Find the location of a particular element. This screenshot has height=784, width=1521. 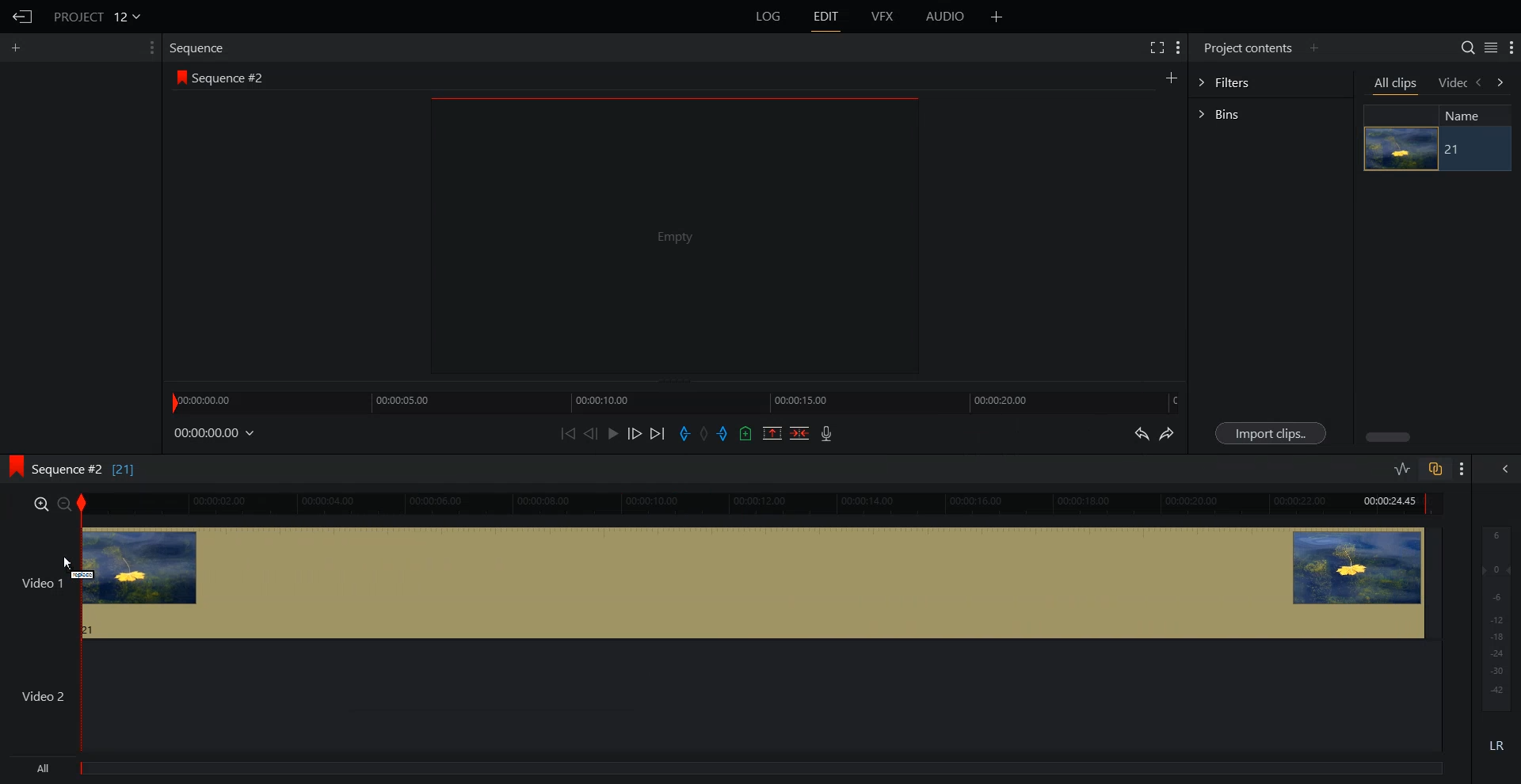

Slider is located at coordinates (676, 401).